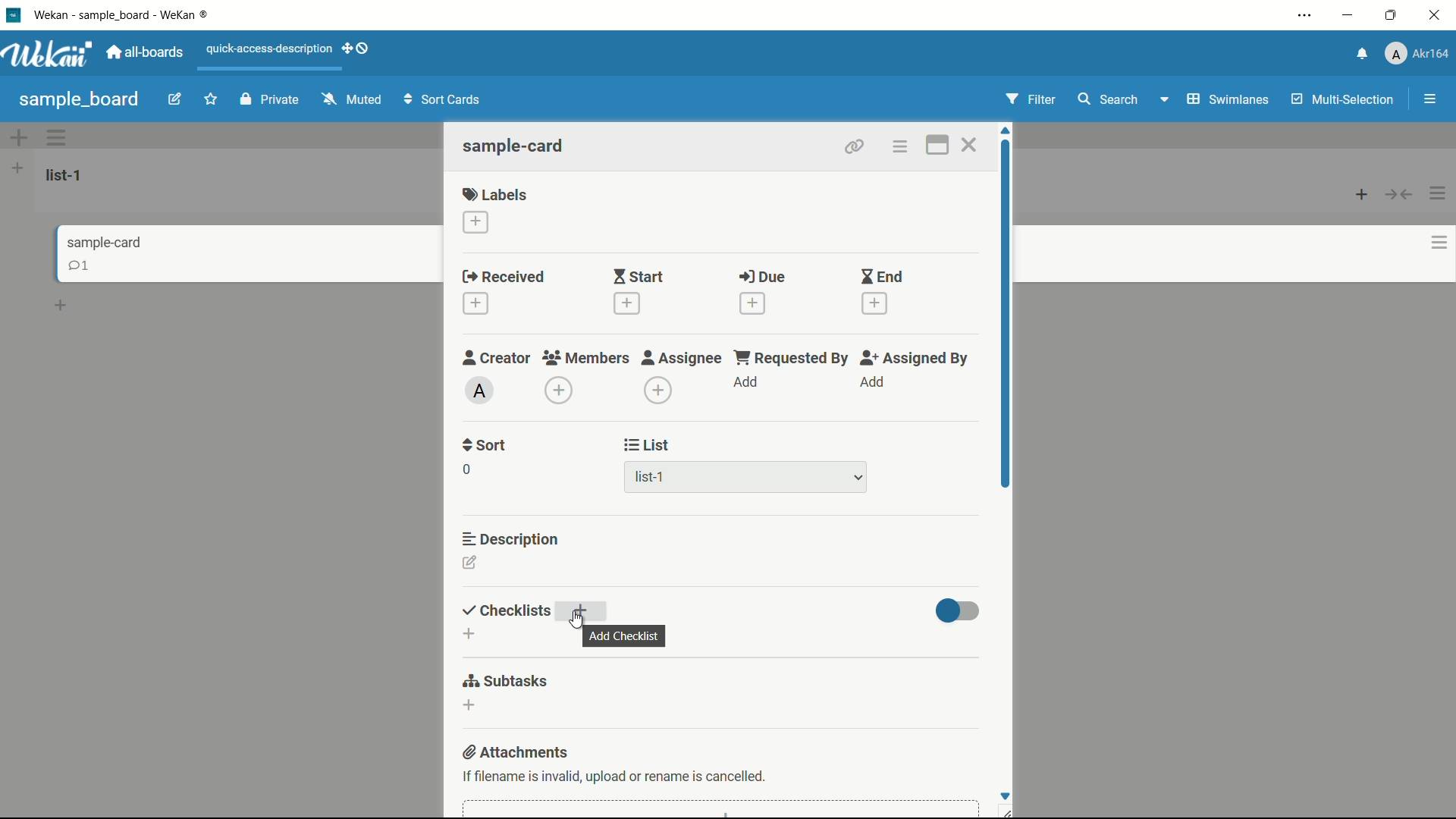 The width and height of the screenshot is (1456, 819). What do you see at coordinates (470, 563) in the screenshot?
I see `edit description` at bounding box center [470, 563].